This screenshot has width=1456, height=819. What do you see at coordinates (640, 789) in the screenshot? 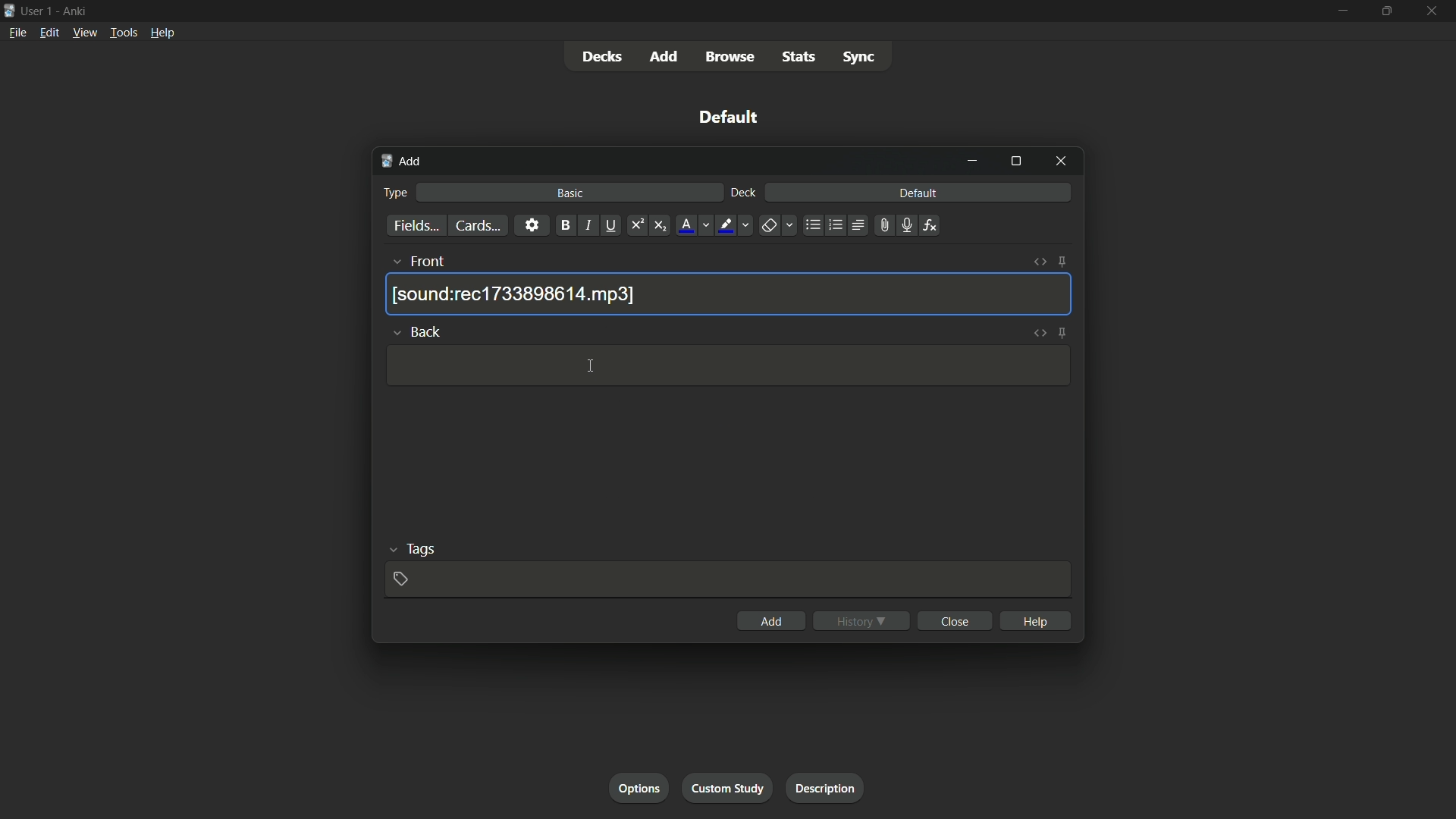
I see `options` at bounding box center [640, 789].